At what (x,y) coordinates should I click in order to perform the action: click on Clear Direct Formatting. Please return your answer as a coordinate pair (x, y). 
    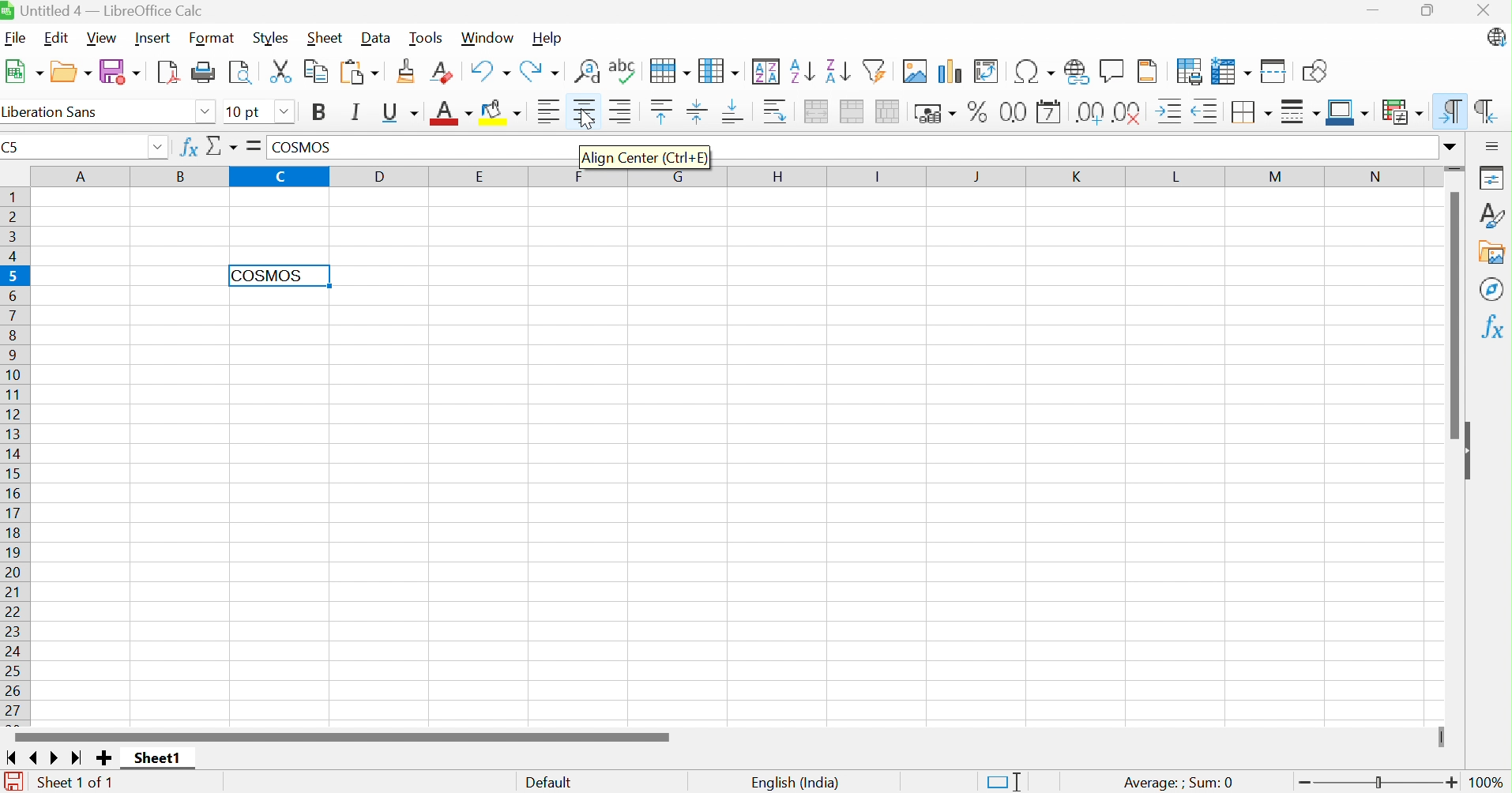
    Looking at the image, I should click on (442, 72).